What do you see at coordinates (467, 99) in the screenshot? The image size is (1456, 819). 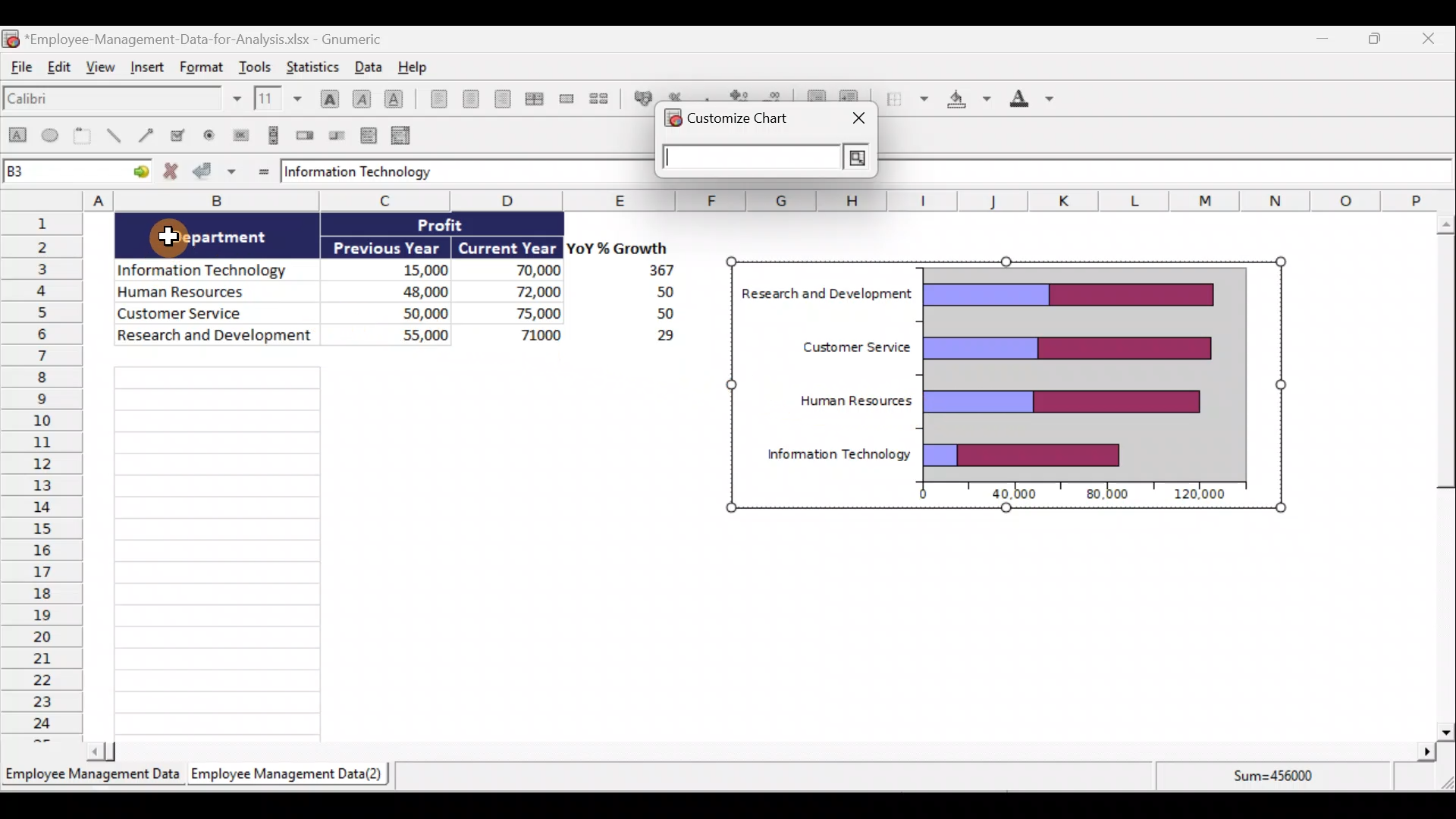 I see `Centre horizontally` at bounding box center [467, 99].